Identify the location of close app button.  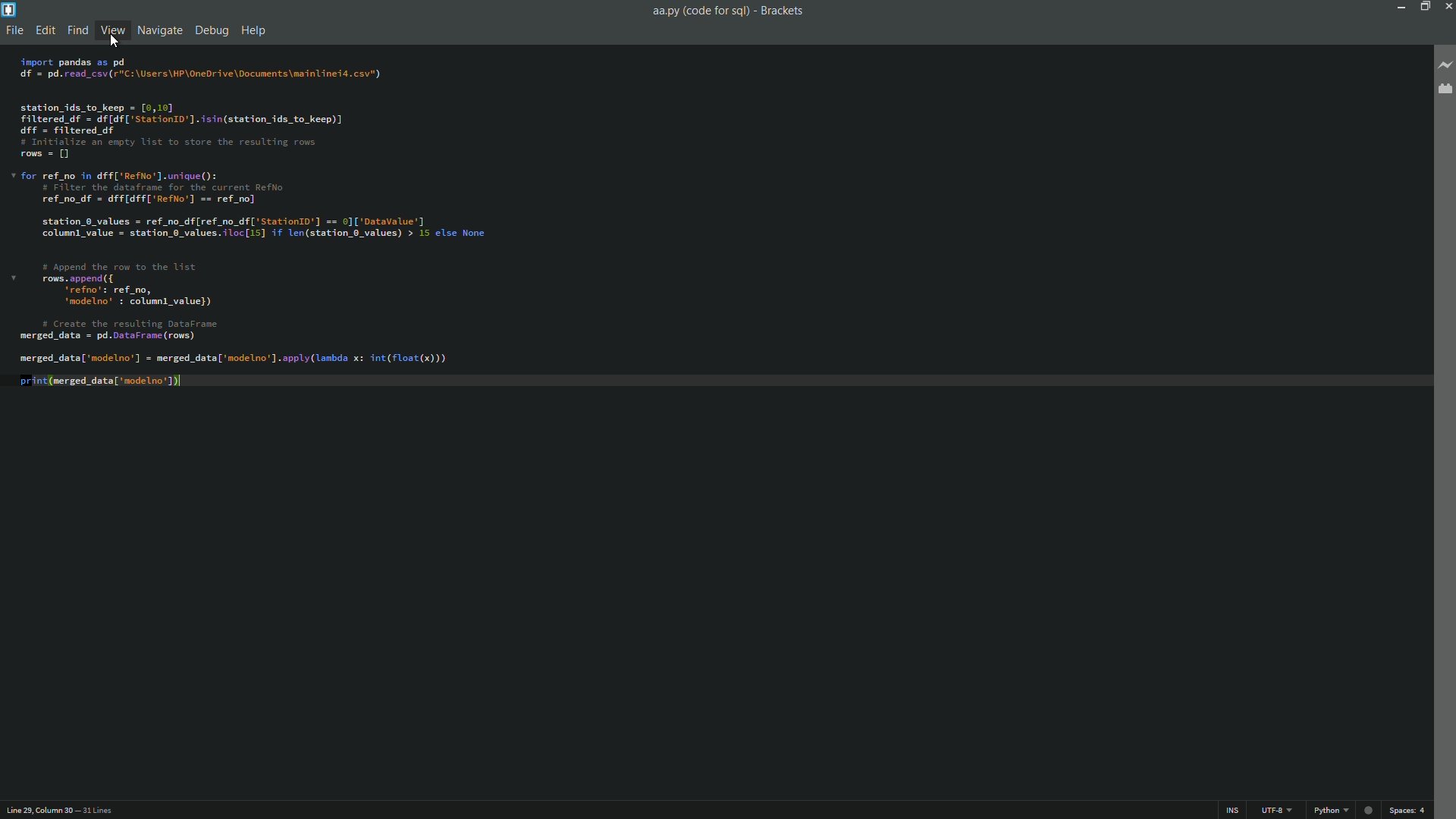
(1447, 6).